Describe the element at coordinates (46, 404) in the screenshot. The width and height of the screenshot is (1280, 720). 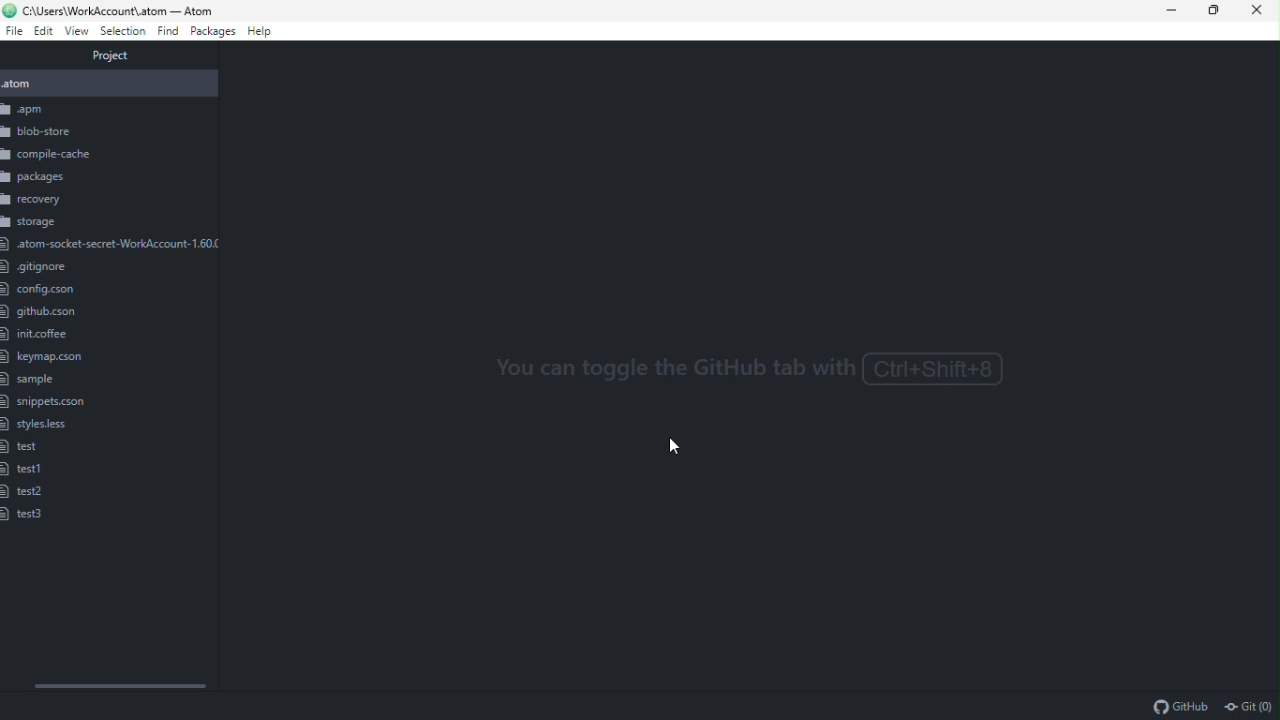
I see `snippets.cson` at that location.